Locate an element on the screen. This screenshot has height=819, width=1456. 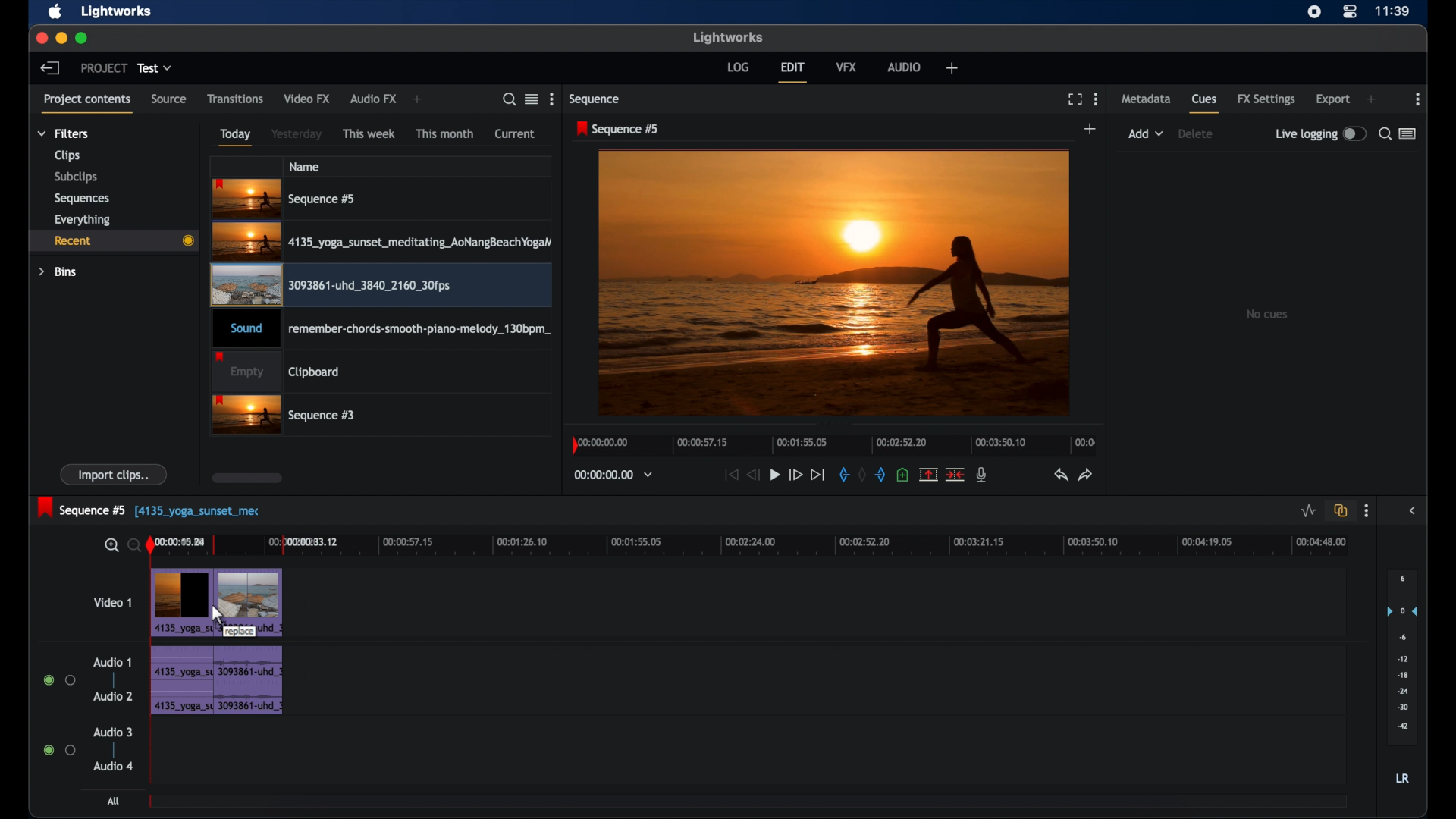
vfx is located at coordinates (847, 68).